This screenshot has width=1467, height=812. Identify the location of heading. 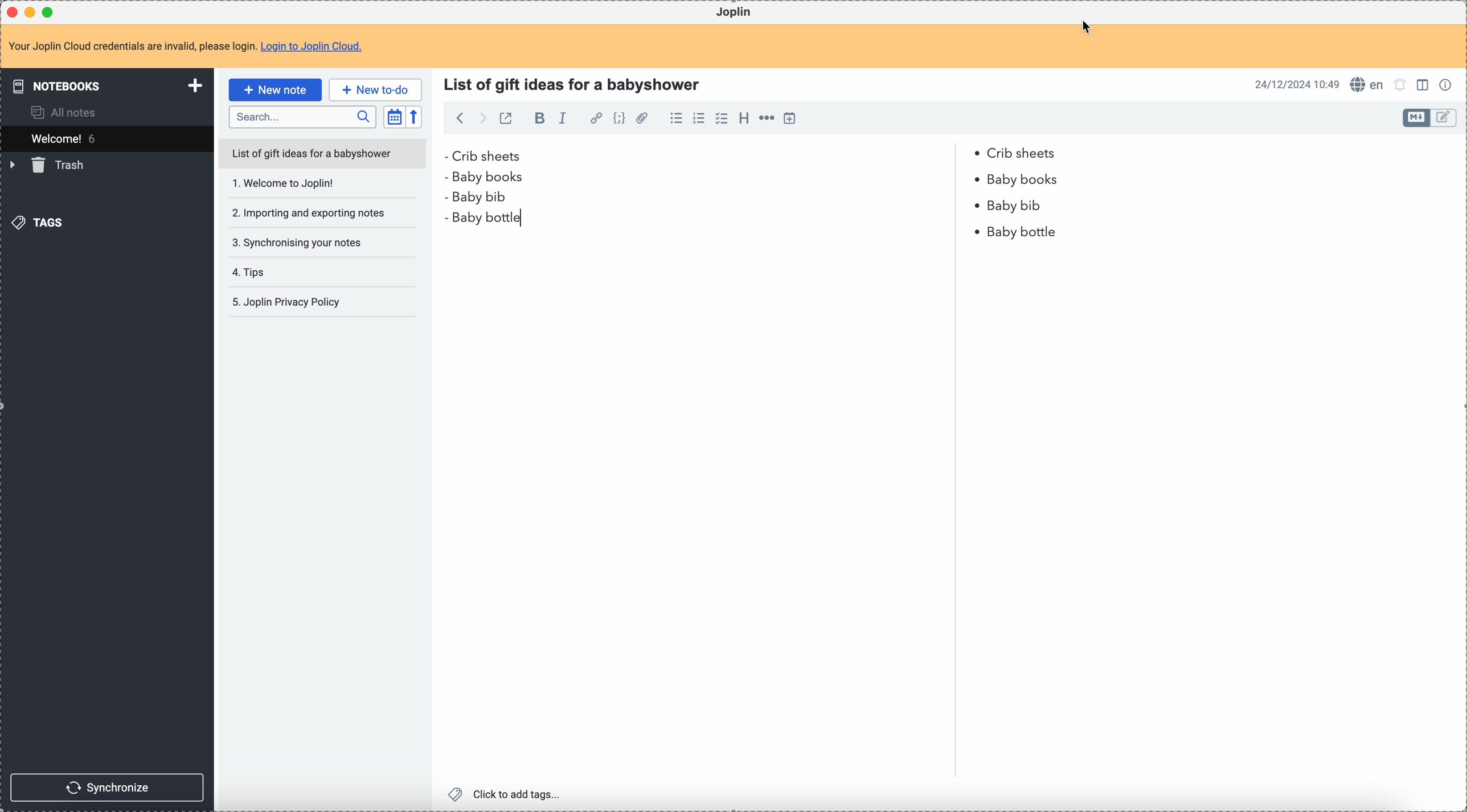
(744, 121).